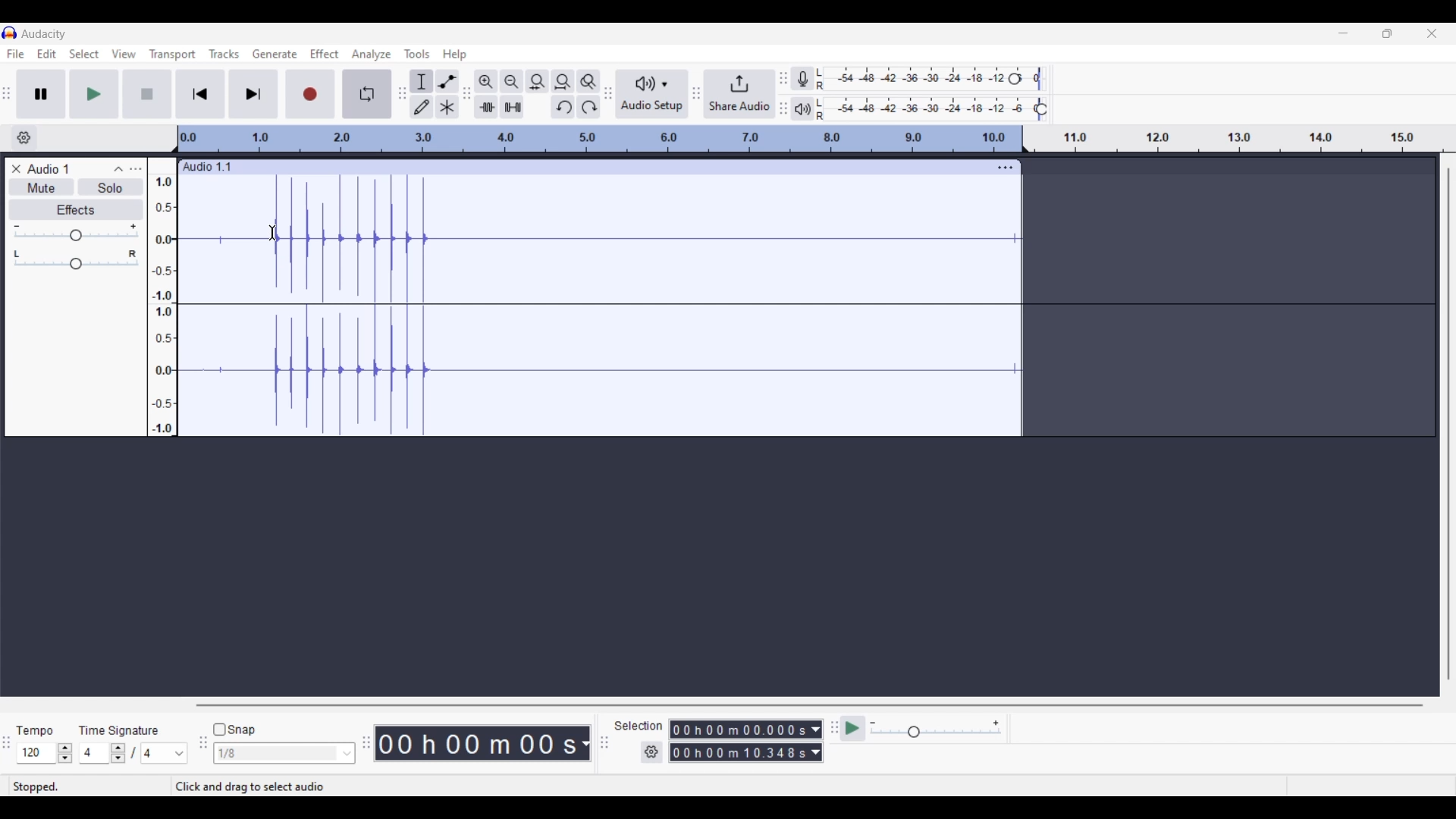 The image size is (1456, 819). I want to click on Measurement options of selection duration, so click(815, 742).